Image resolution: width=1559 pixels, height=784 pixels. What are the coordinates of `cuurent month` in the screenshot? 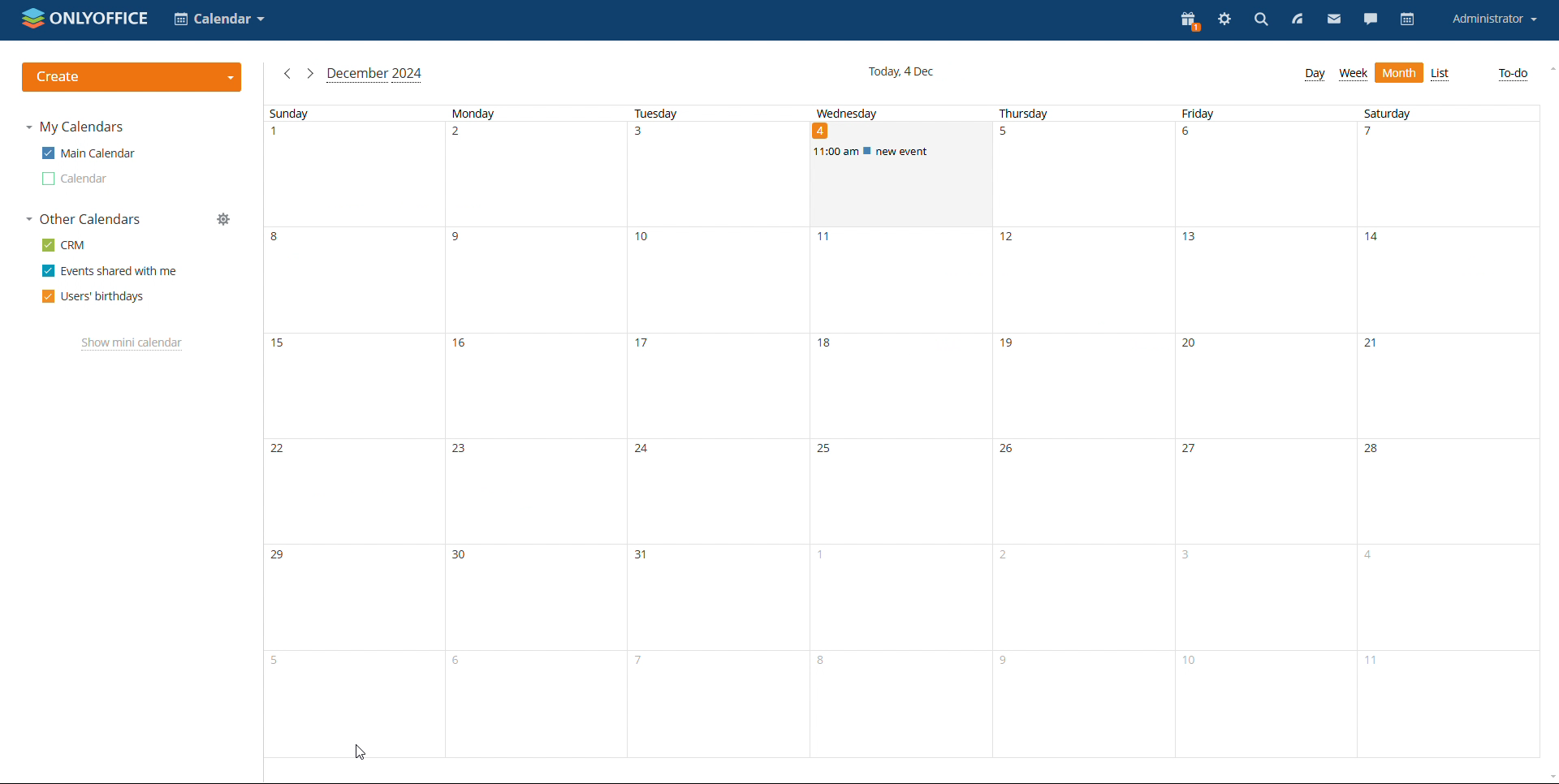 It's located at (374, 75).